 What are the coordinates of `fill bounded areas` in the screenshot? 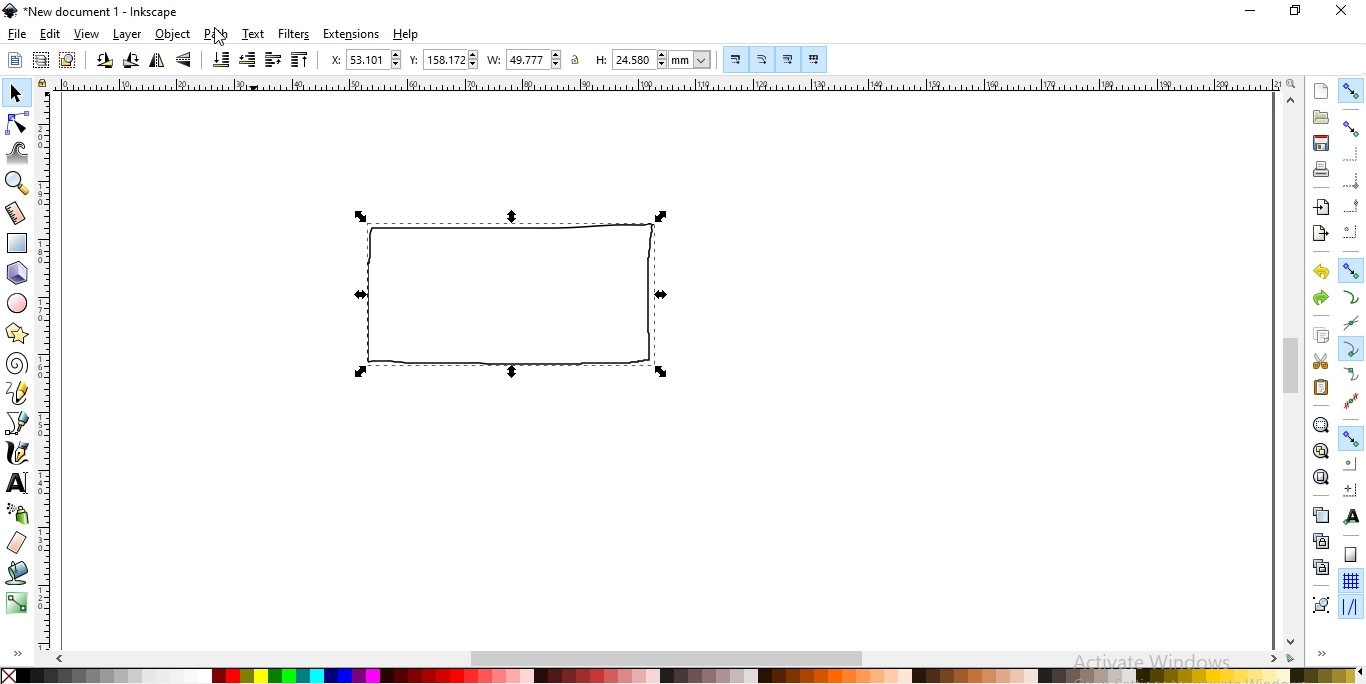 It's located at (21, 572).